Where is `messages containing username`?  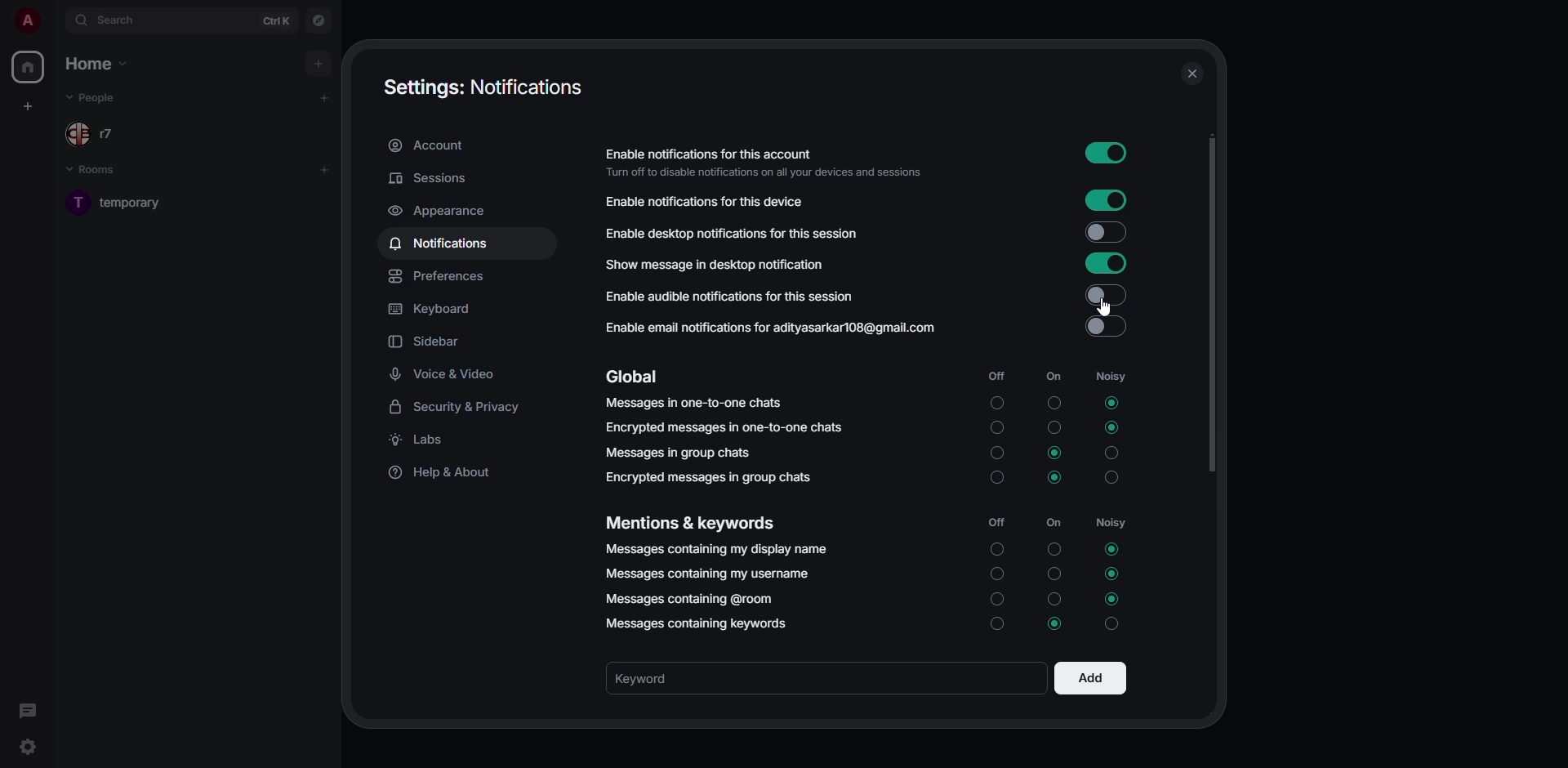
messages containing username is located at coordinates (709, 574).